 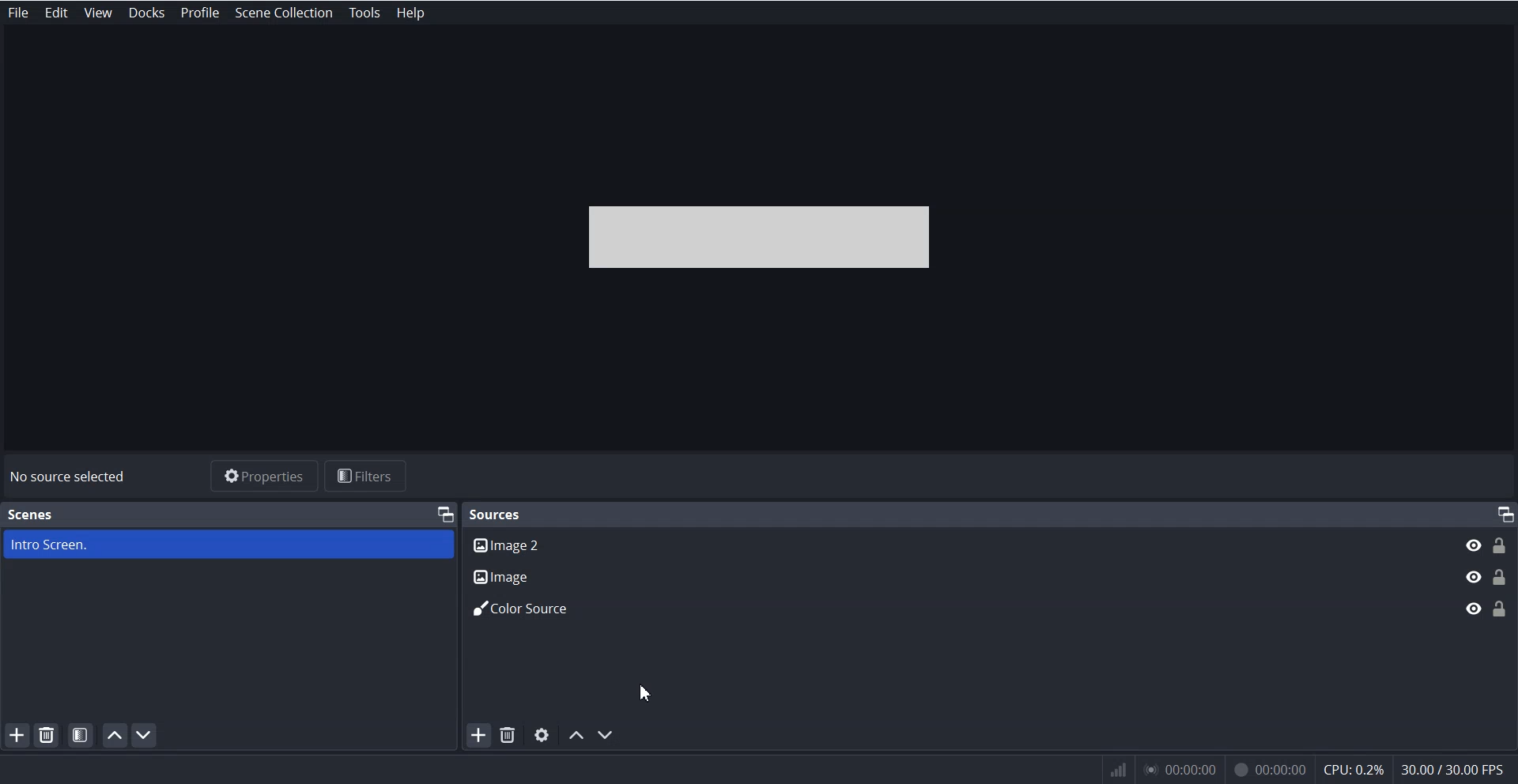 I want to click on Add Source, so click(x=478, y=736).